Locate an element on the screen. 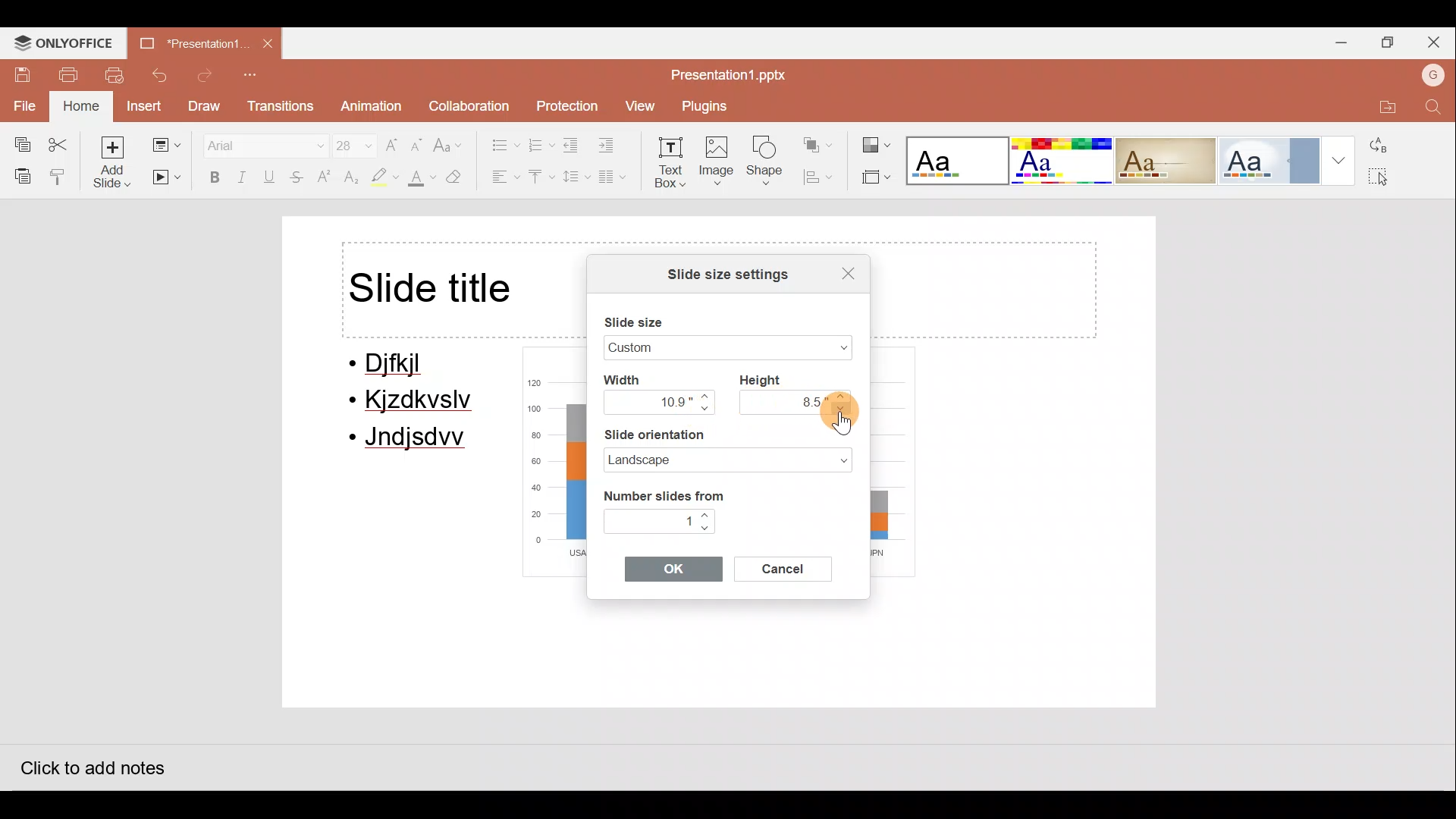 The height and width of the screenshot is (819, 1456). Slide orientation dropdown is located at coordinates (830, 458).